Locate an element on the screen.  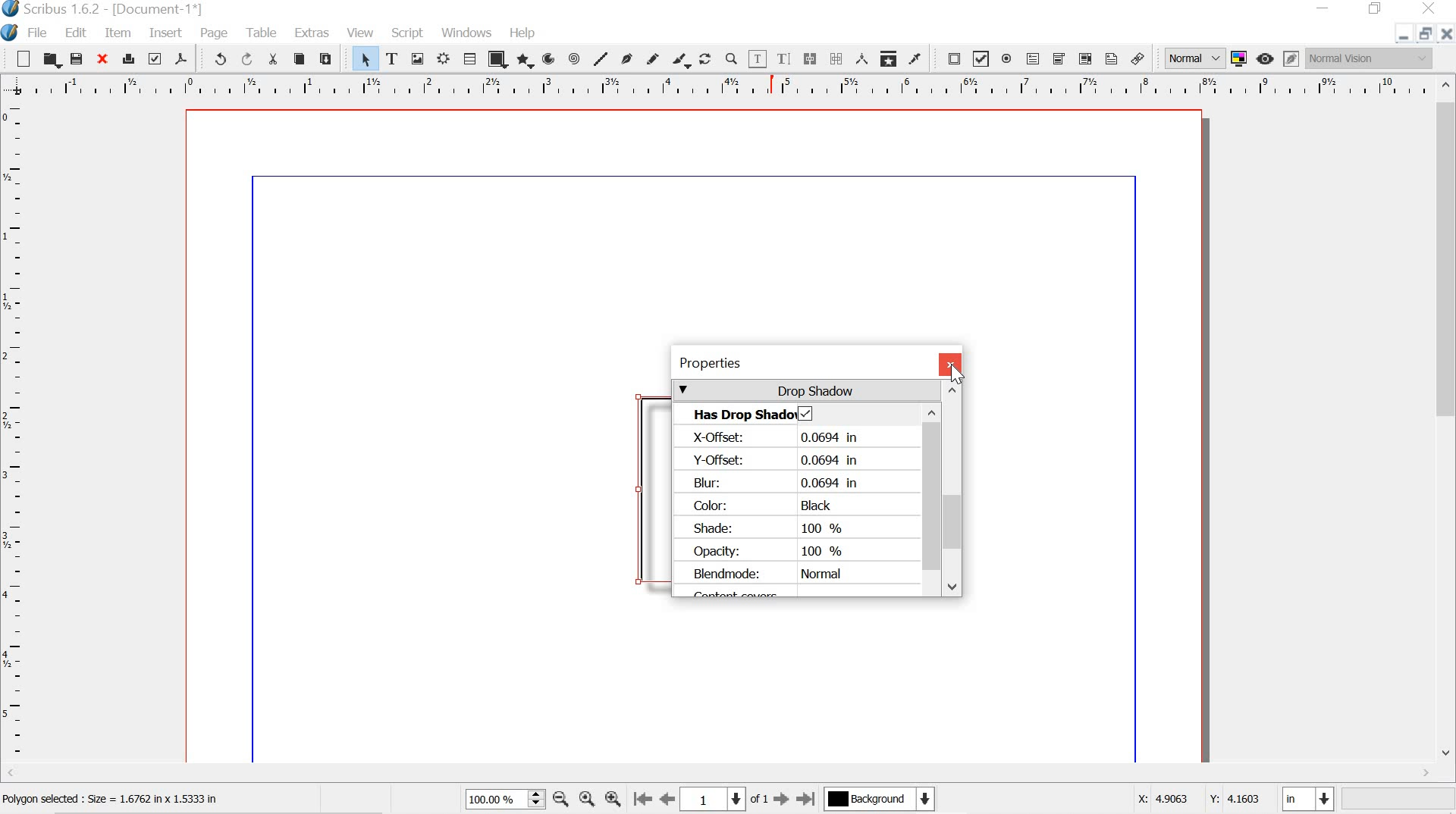
scrollbar is located at coordinates (932, 491).